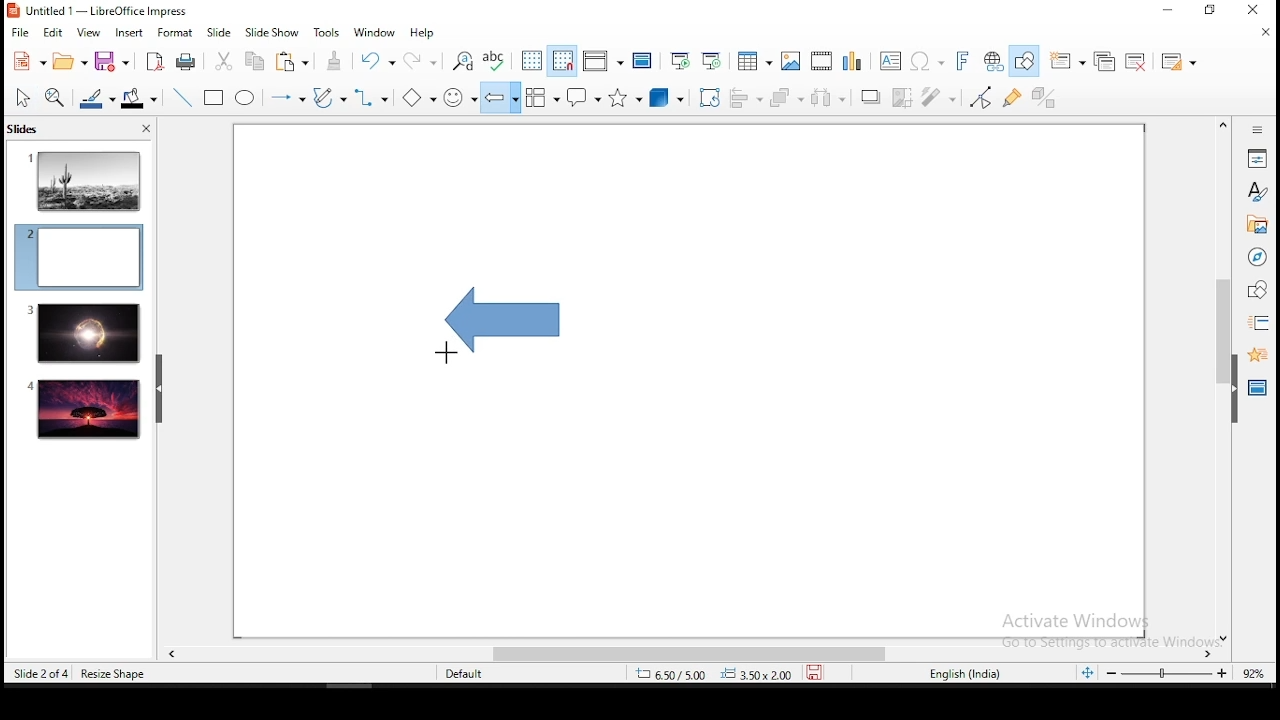  Describe the element at coordinates (23, 97) in the screenshot. I see `select` at that location.